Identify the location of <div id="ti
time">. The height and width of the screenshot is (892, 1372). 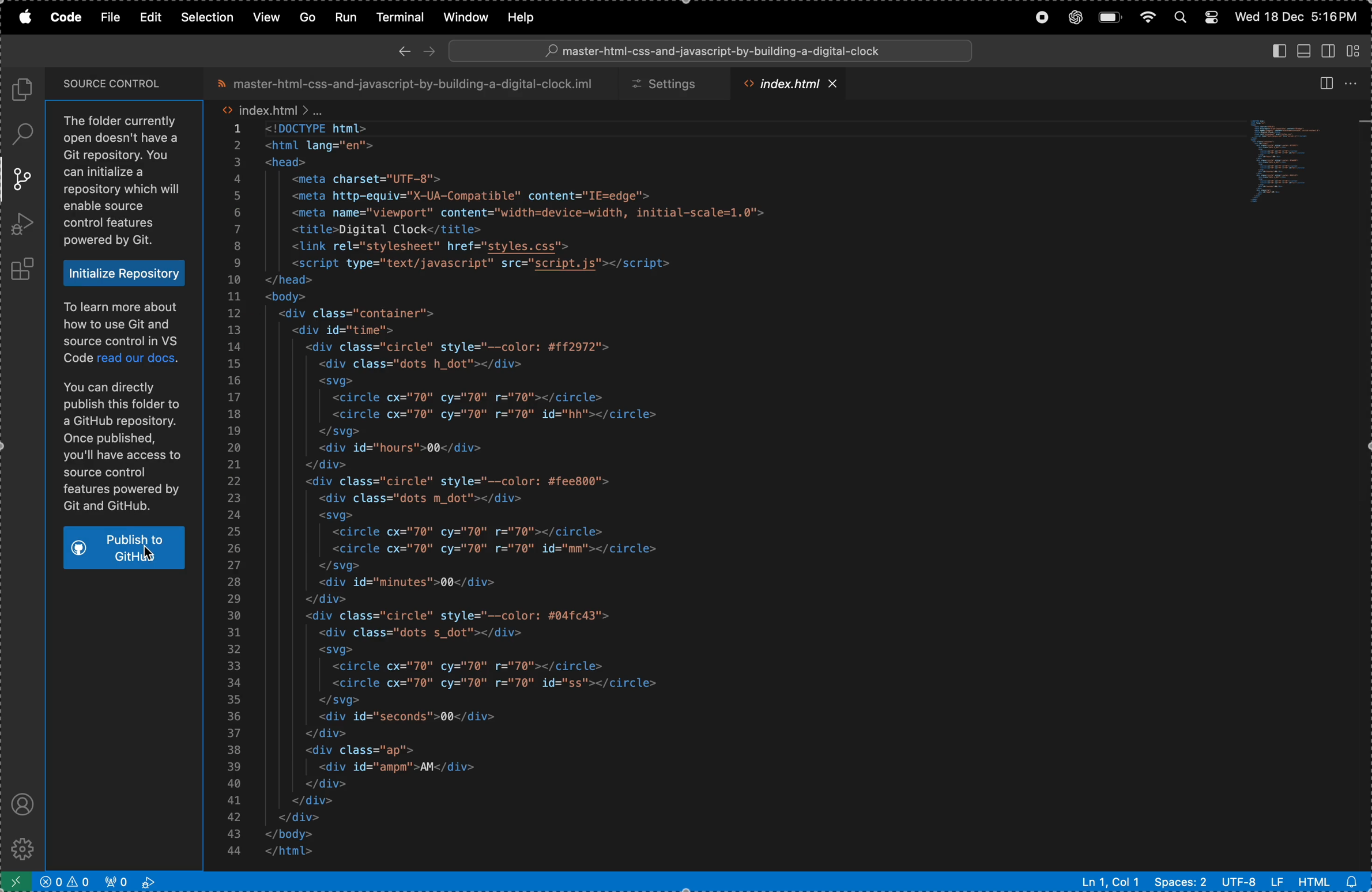
(353, 330).